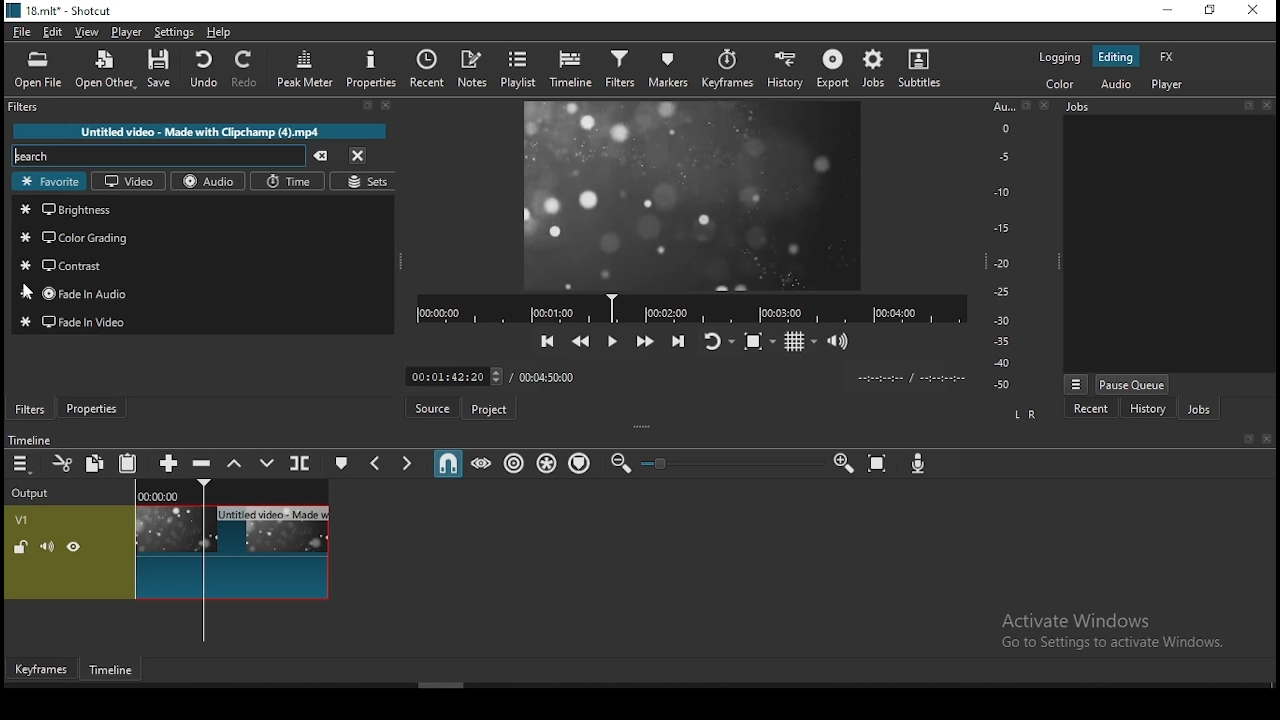 The image size is (1280, 720). Describe the element at coordinates (1061, 85) in the screenshot. I see `color` at that location.